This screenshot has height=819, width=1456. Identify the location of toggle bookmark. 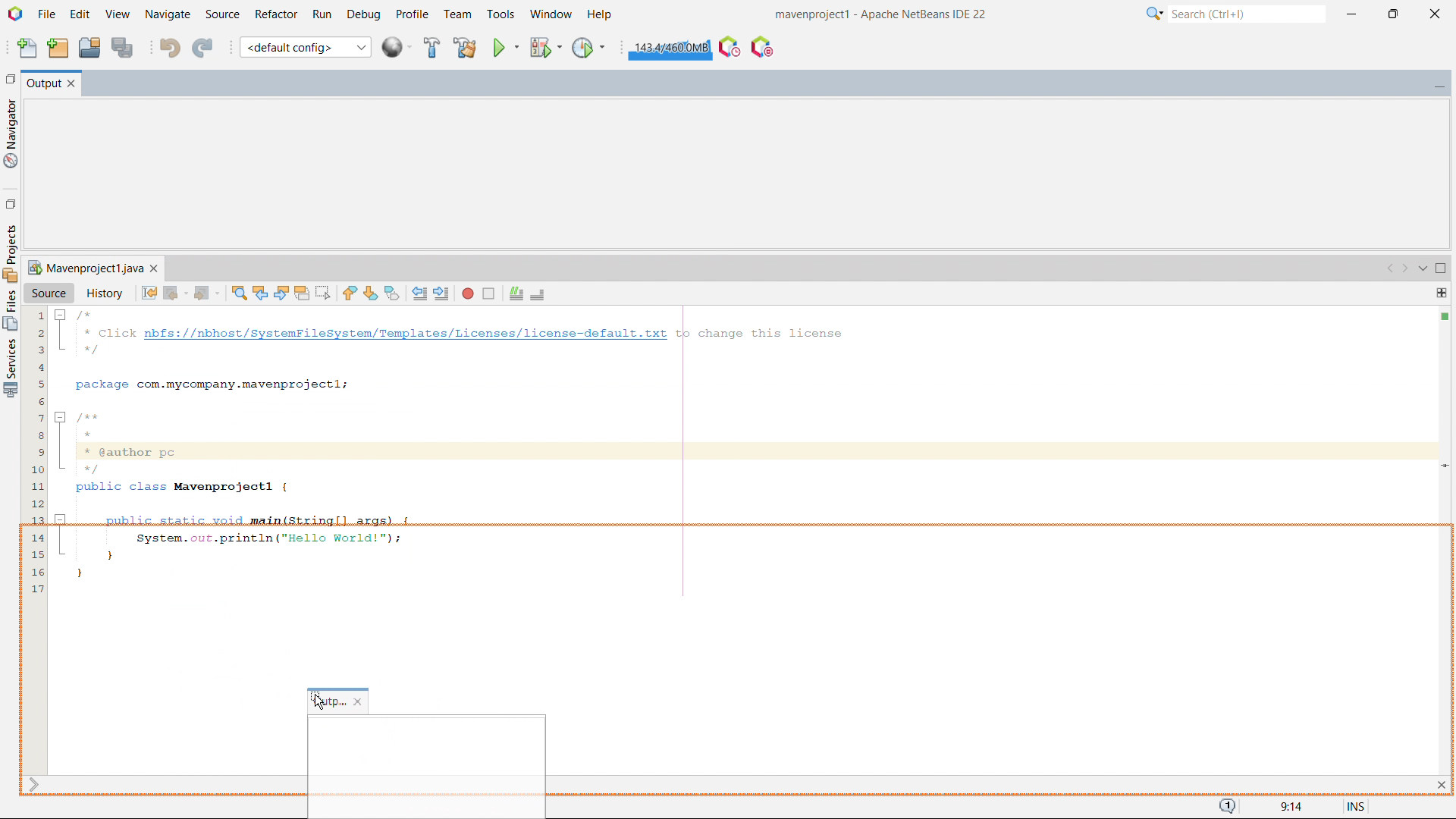
(392, 293).